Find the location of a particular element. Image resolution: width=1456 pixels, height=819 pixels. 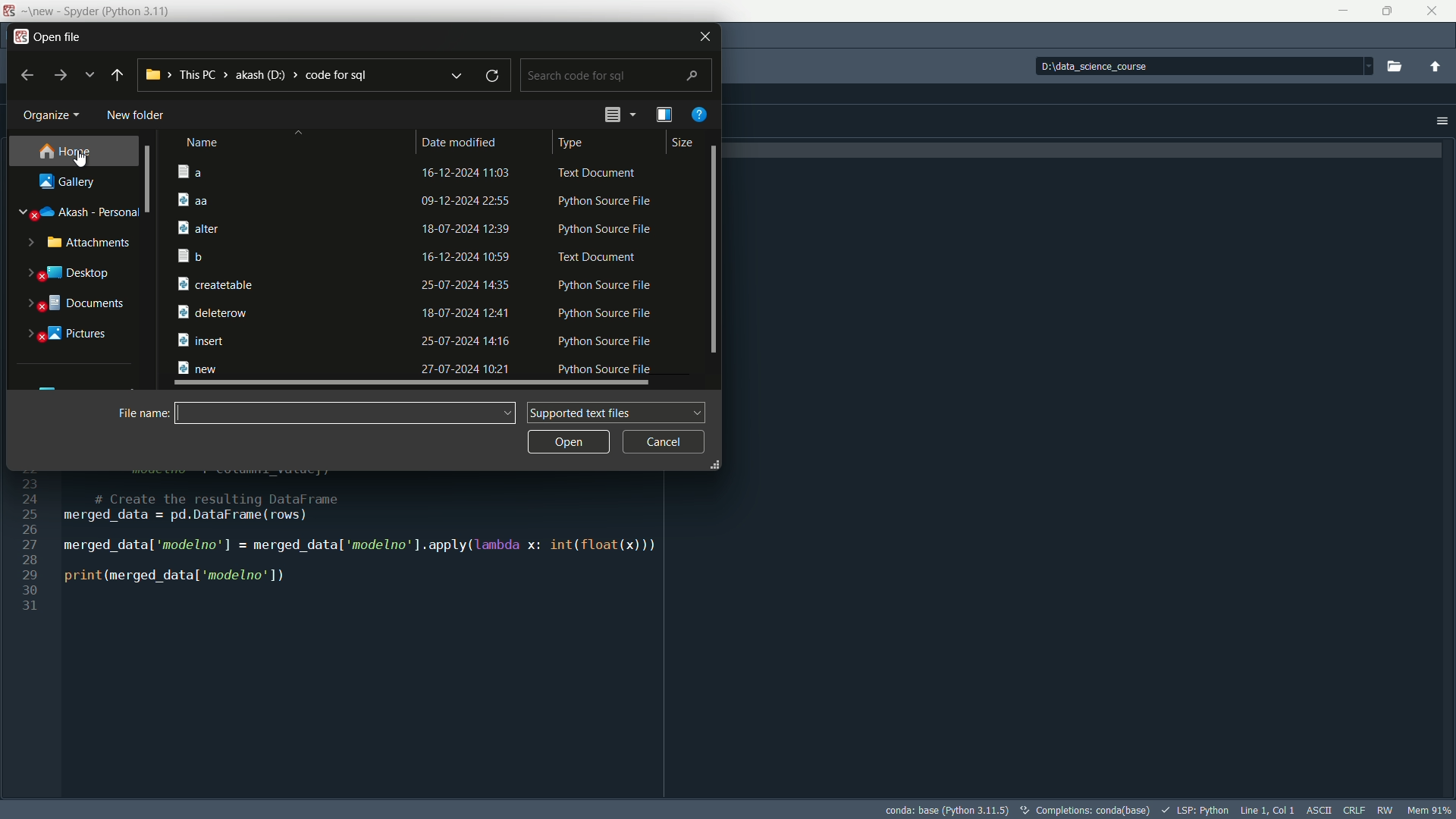

app name is located at coordinates (117, 10).